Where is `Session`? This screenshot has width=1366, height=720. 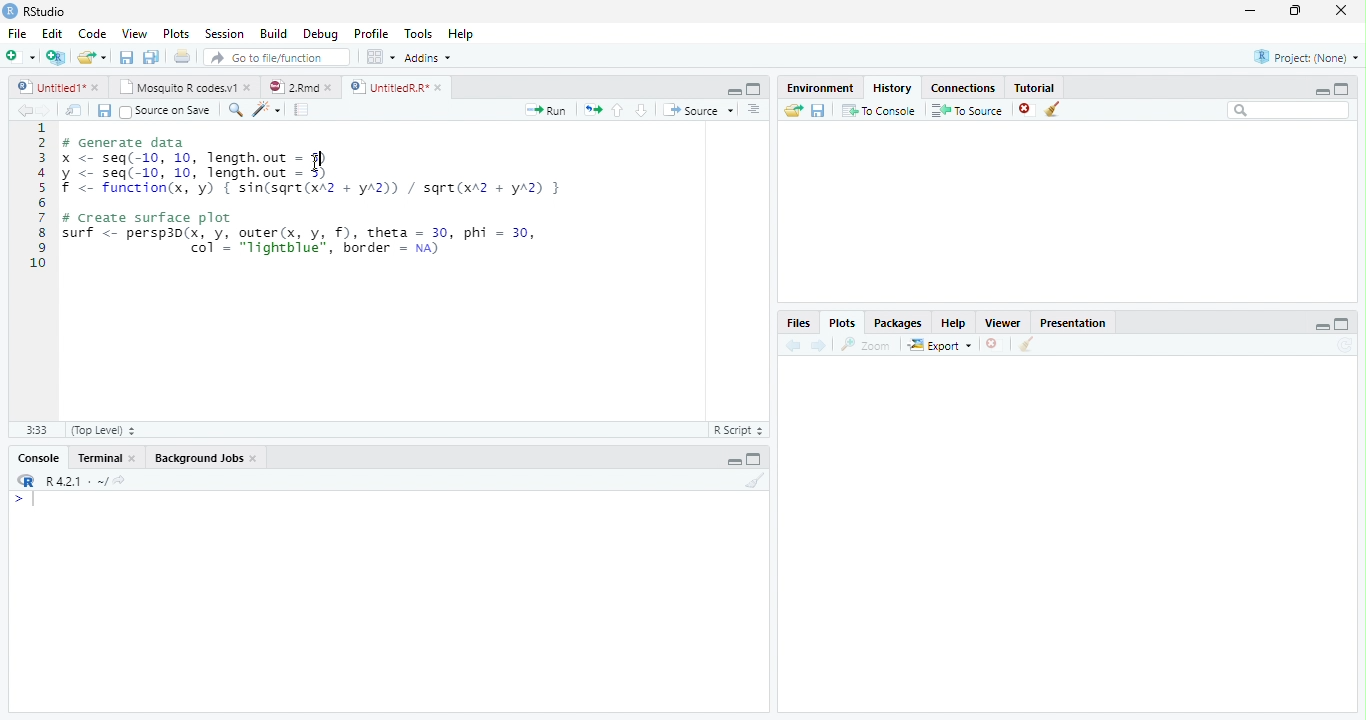 Session is located at coordinates (223, 34).